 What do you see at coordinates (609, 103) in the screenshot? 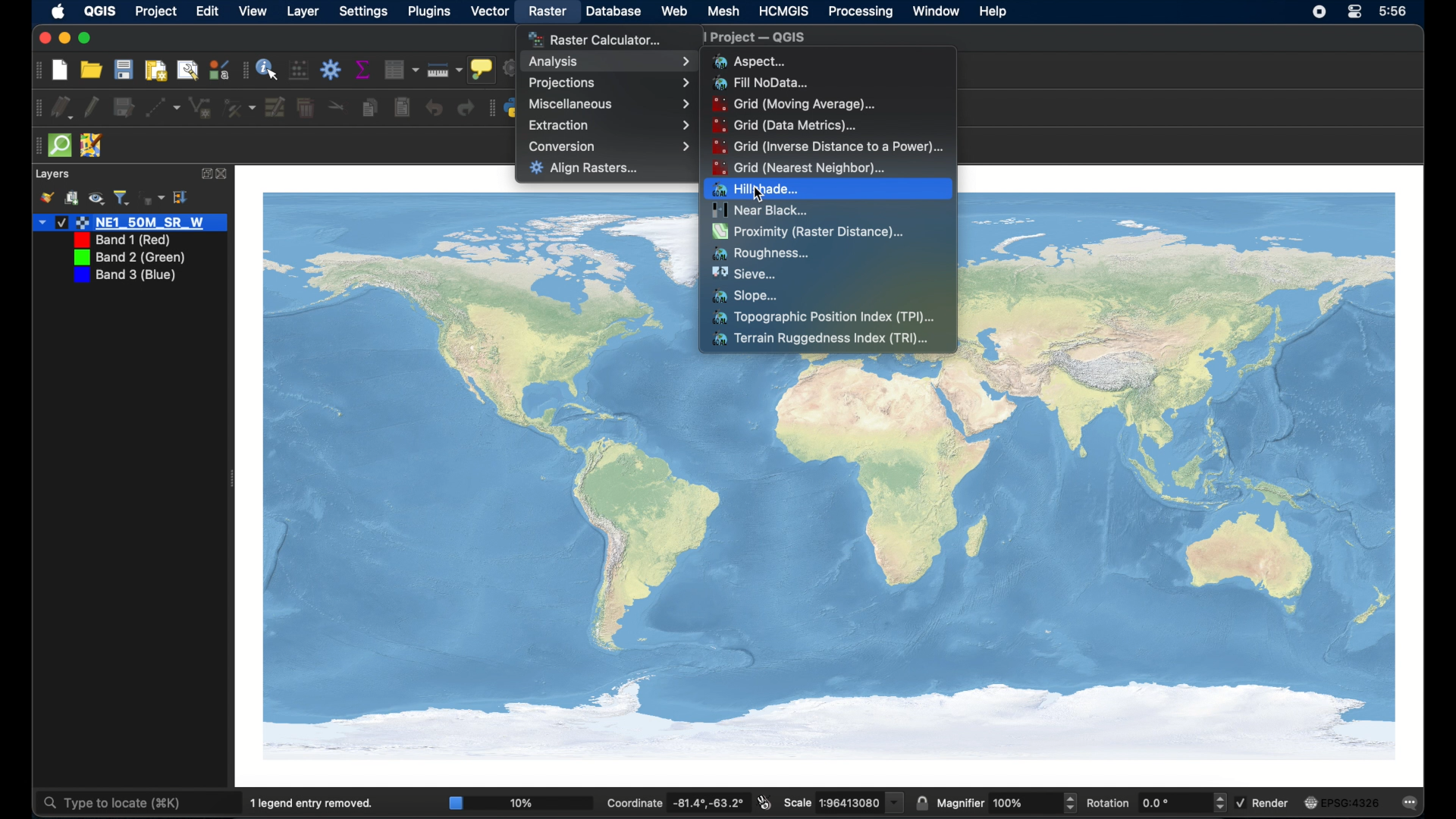
I see `miscellaneous` at bounding box center [609, 103].